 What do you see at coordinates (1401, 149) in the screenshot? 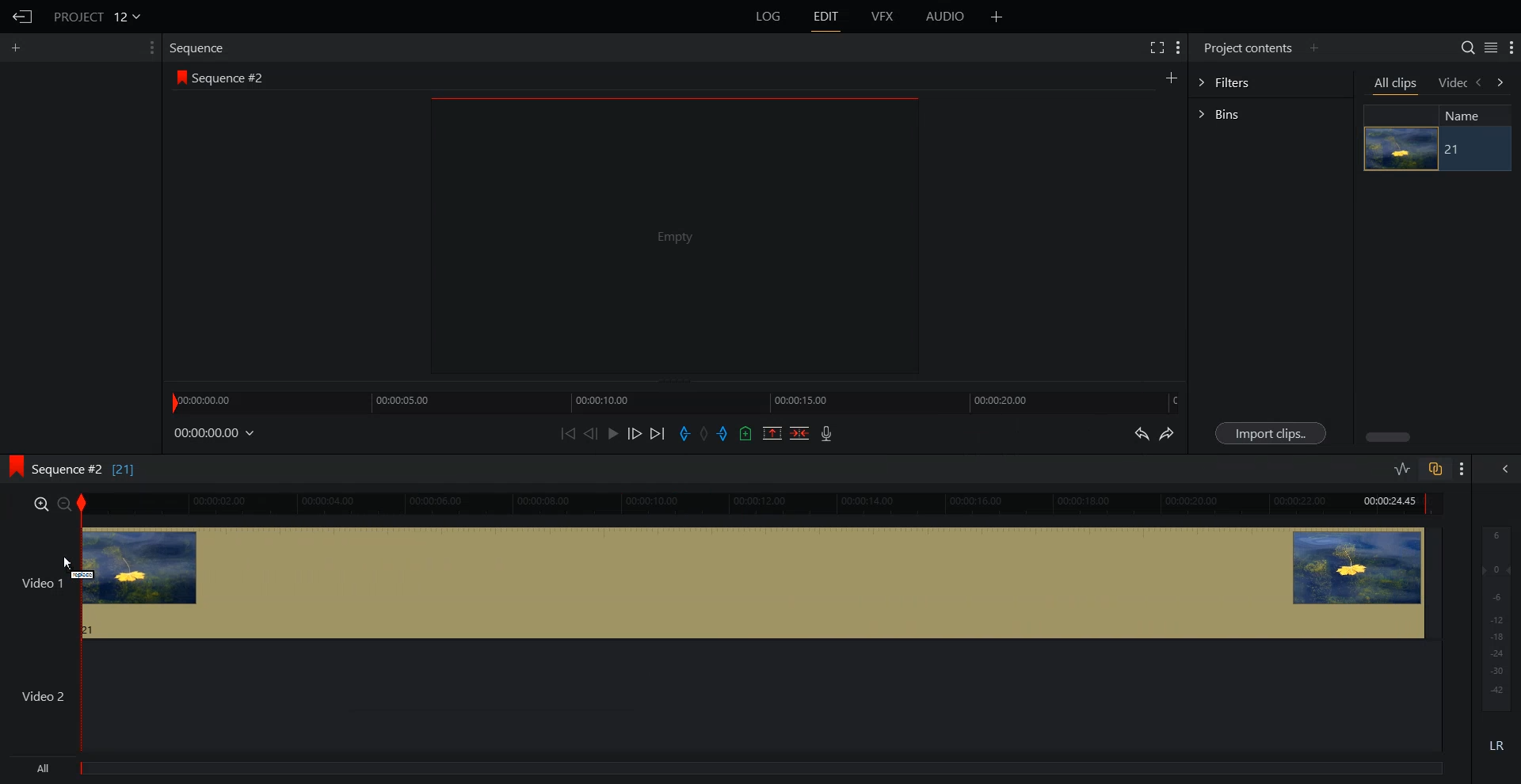
I see `image` at bounding box center [1401, 149].